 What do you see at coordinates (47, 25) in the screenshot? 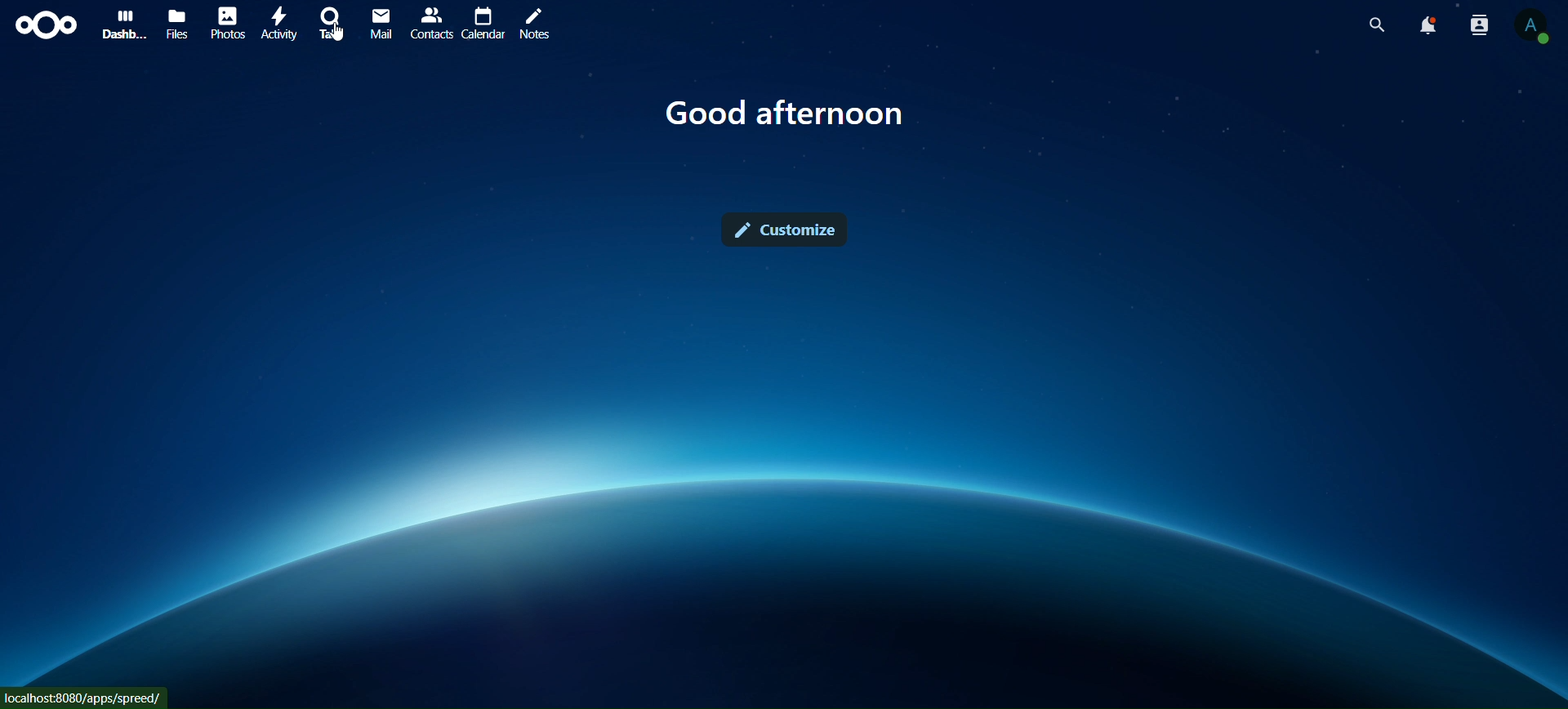
I see `logo` at bounding box center [47, 25].